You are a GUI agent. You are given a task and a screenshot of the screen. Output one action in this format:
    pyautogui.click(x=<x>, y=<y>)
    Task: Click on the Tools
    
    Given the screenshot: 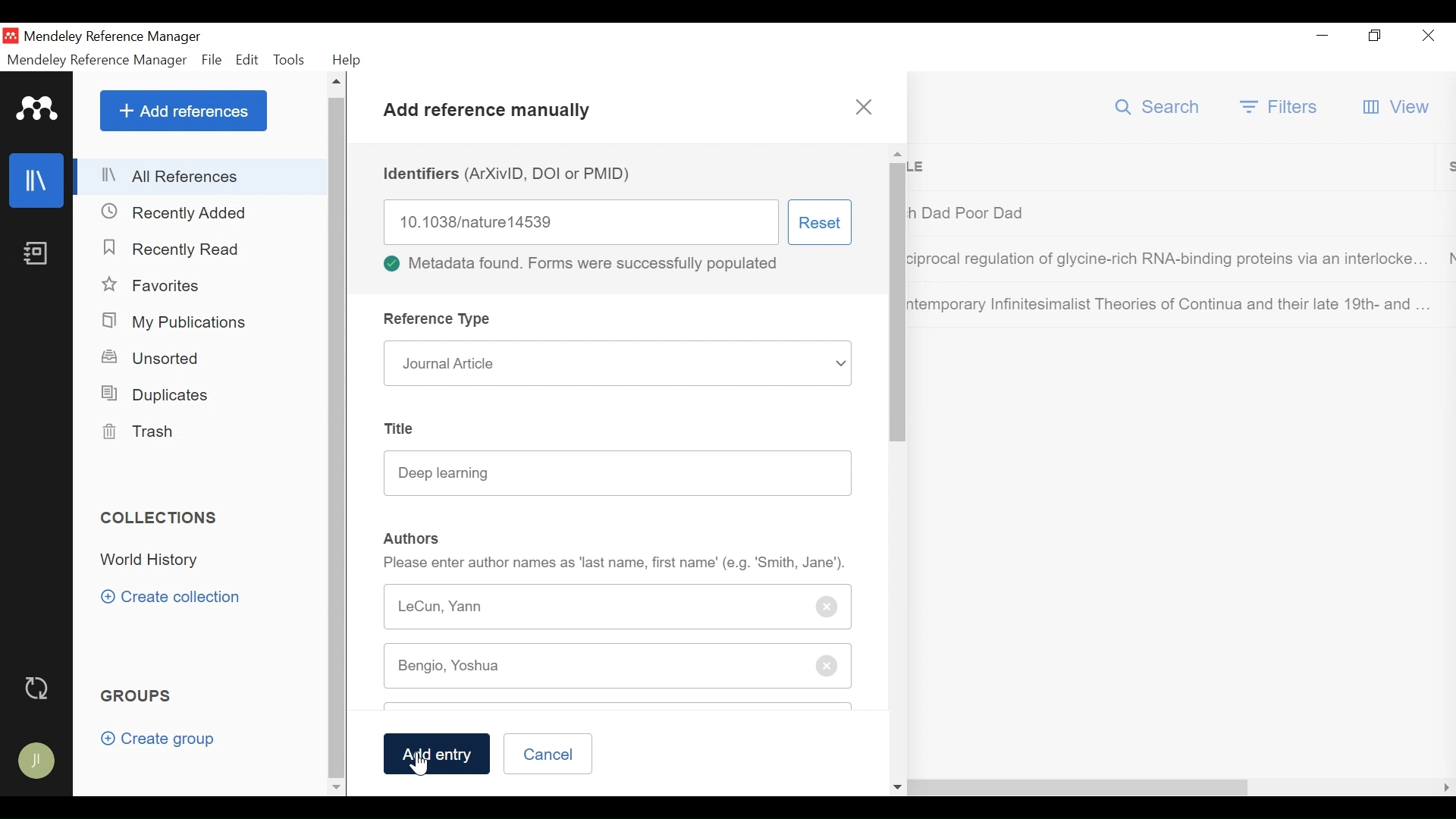 What is the action you would take?
    pyautogui.click(x=292, y=60)
    